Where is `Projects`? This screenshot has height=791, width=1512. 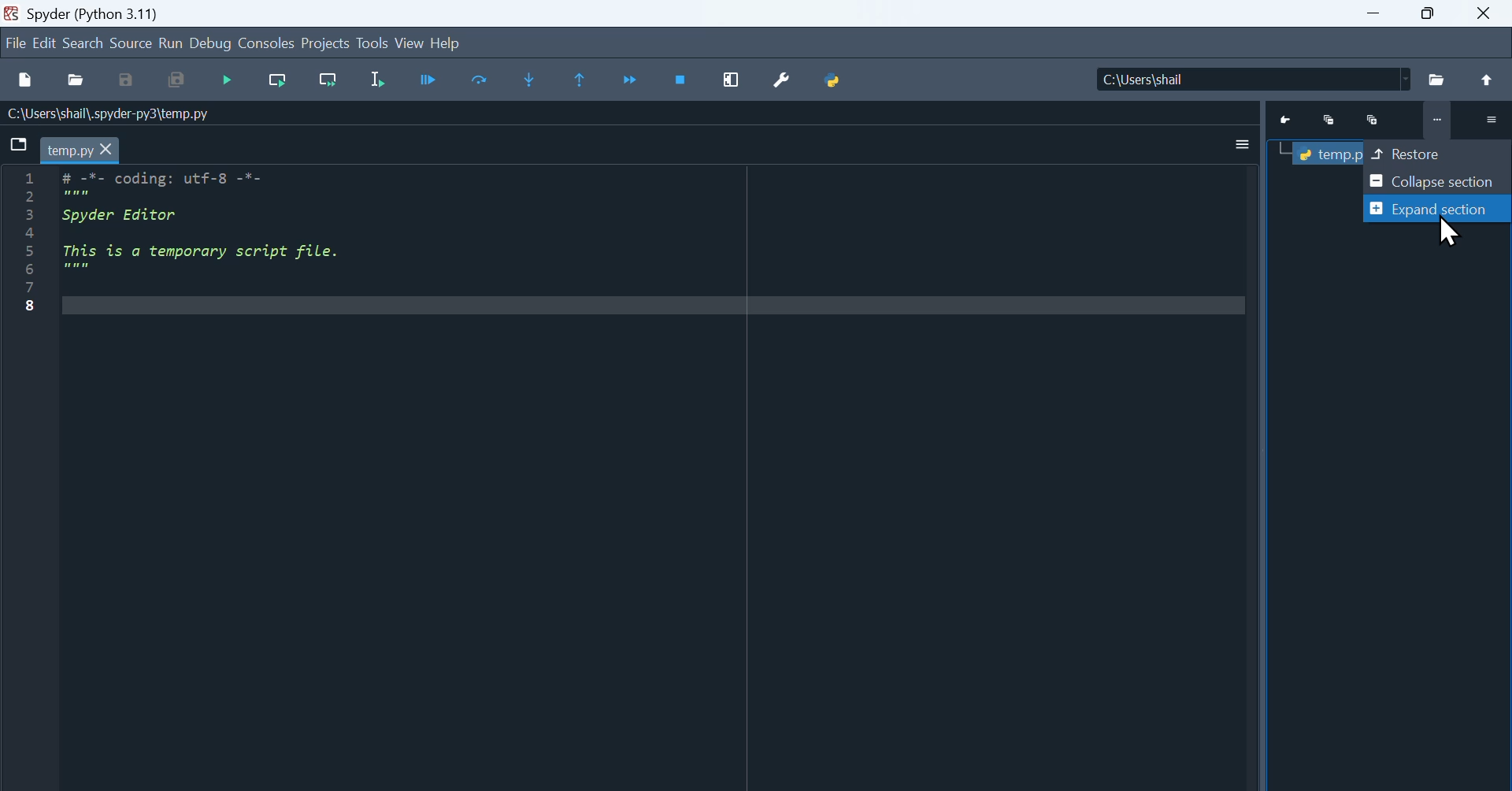
Projects is located at coordinates (324, 43).